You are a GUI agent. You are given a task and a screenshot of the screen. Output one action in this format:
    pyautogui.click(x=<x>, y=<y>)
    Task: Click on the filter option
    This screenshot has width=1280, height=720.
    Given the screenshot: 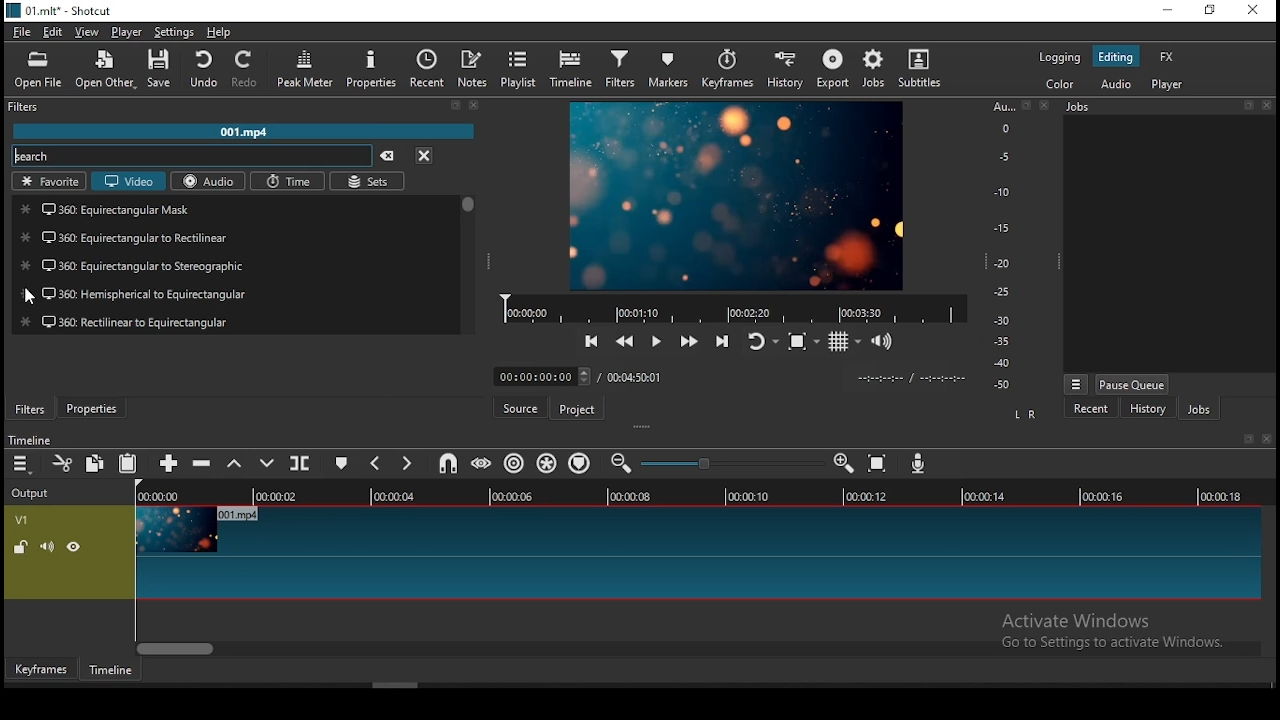 What is the action you would take?
    pyautogui.click(x=236, y=238)
    